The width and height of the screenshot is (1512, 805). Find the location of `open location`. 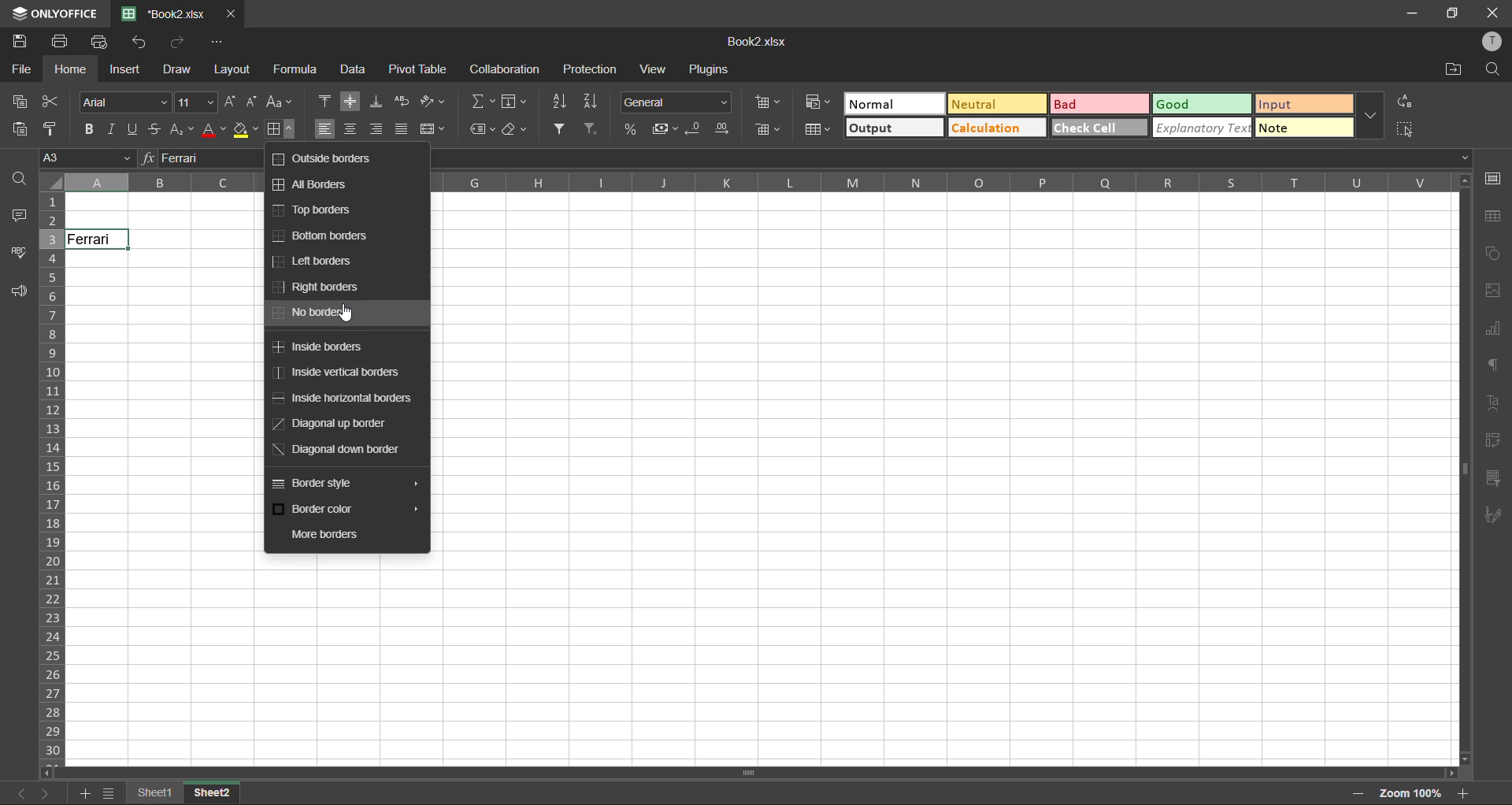

open location is located at coordinates (1455, 71).